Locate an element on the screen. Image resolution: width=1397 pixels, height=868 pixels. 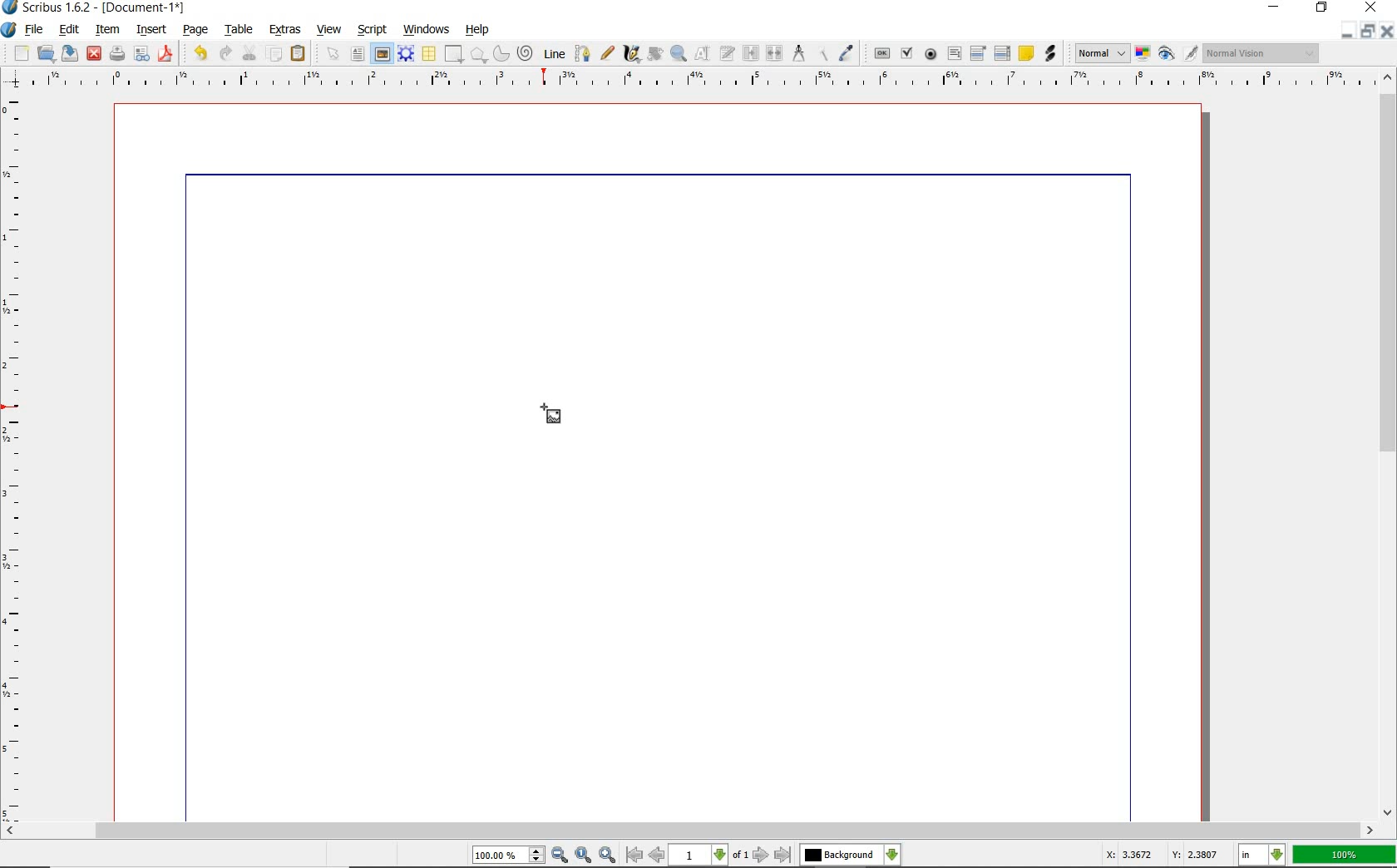
Zoom 100.00% is located at coordinates (508, 856).